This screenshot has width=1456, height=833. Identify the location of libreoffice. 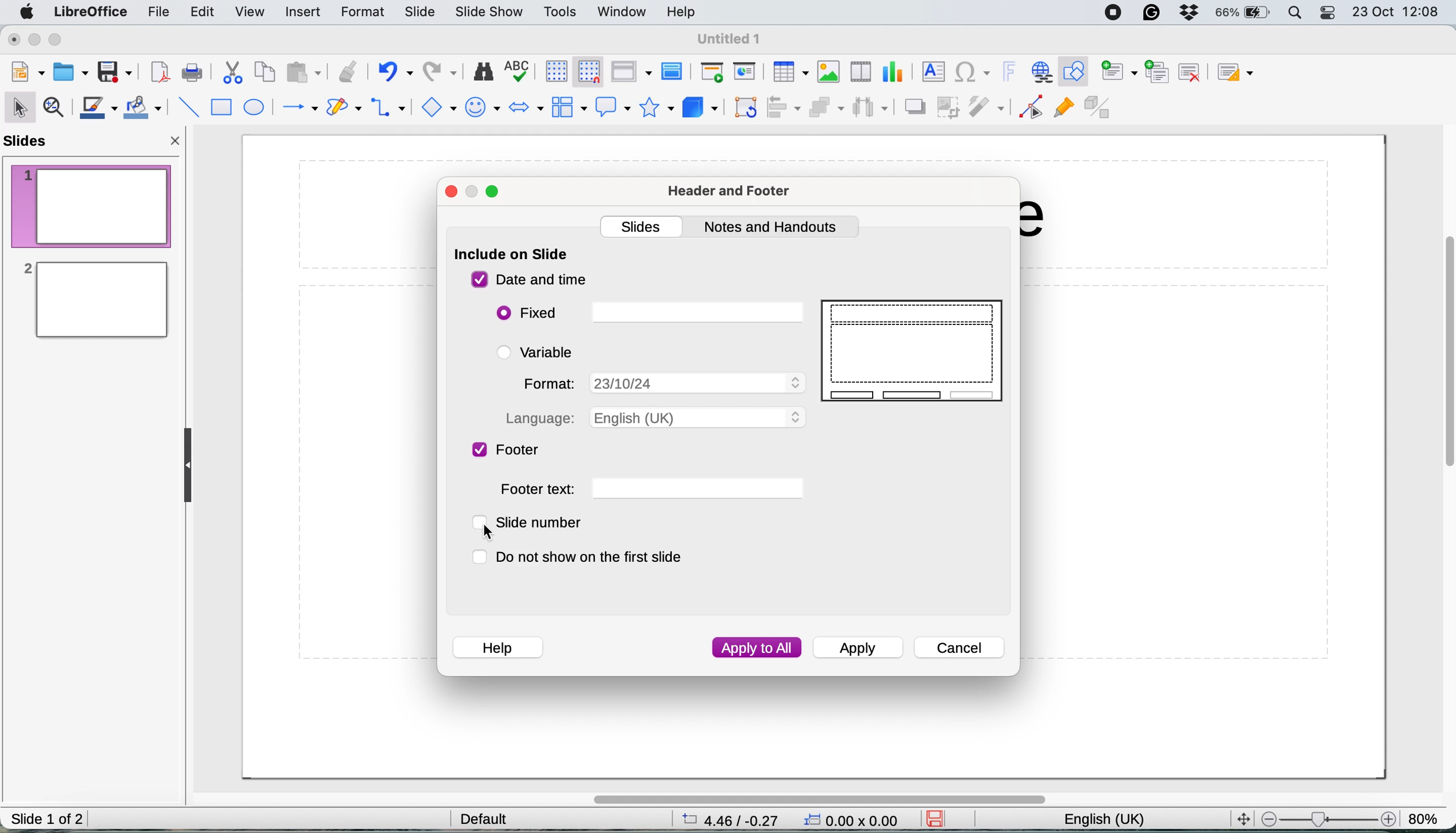
(92, 13).